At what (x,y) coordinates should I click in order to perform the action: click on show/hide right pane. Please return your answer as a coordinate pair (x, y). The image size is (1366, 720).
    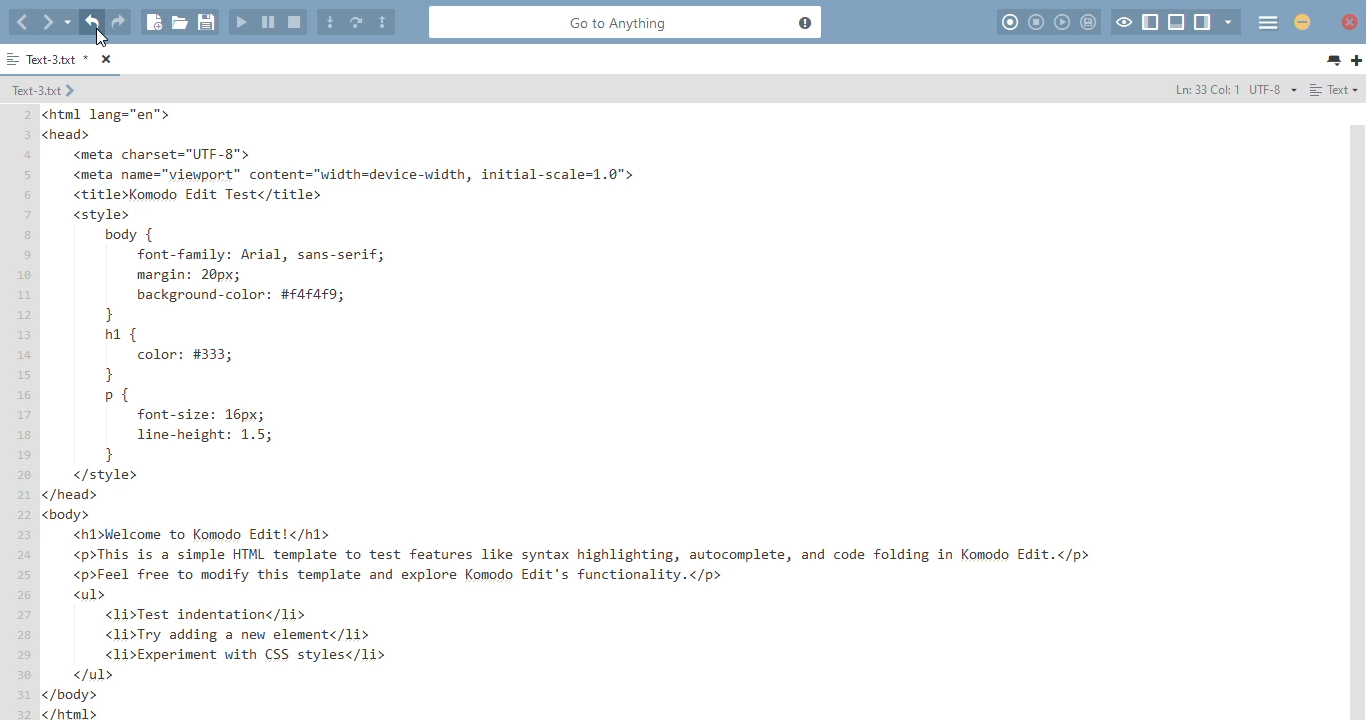
    Looking at the image, I should click on (1203, 22).